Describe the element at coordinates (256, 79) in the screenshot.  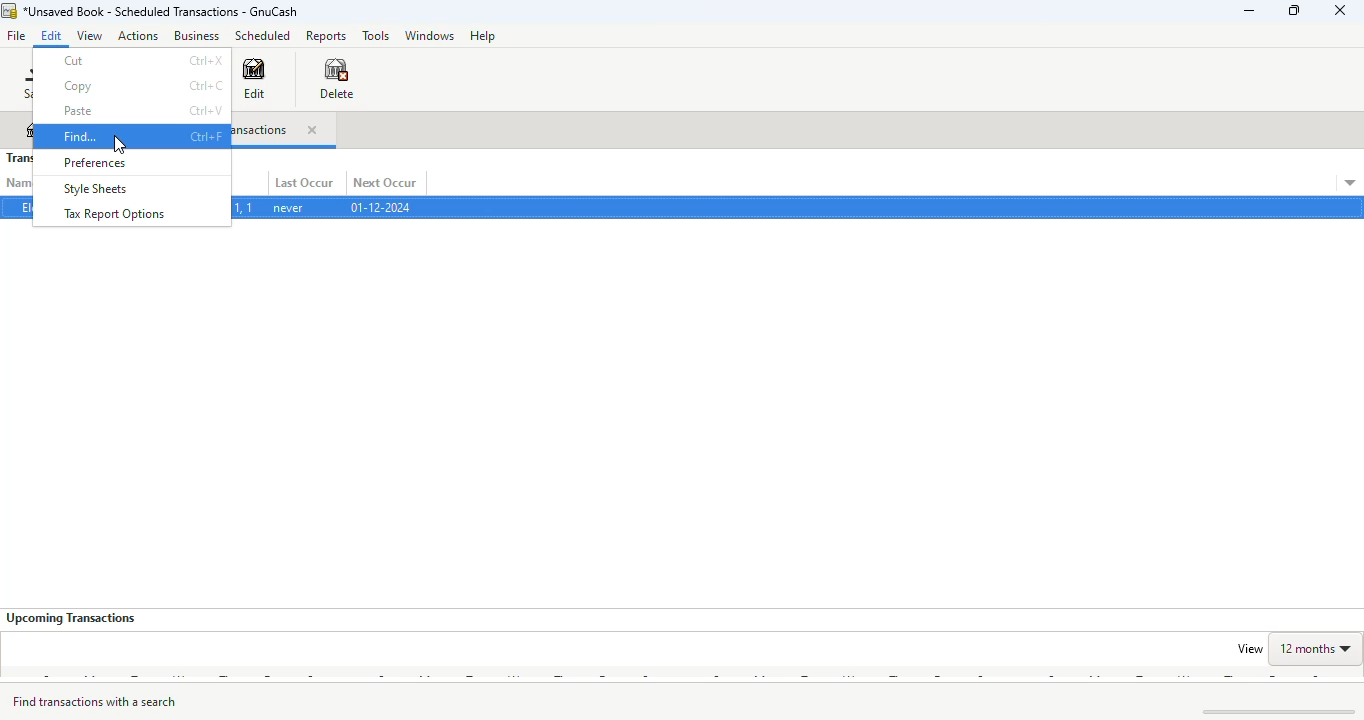
I see `edit` at that location.